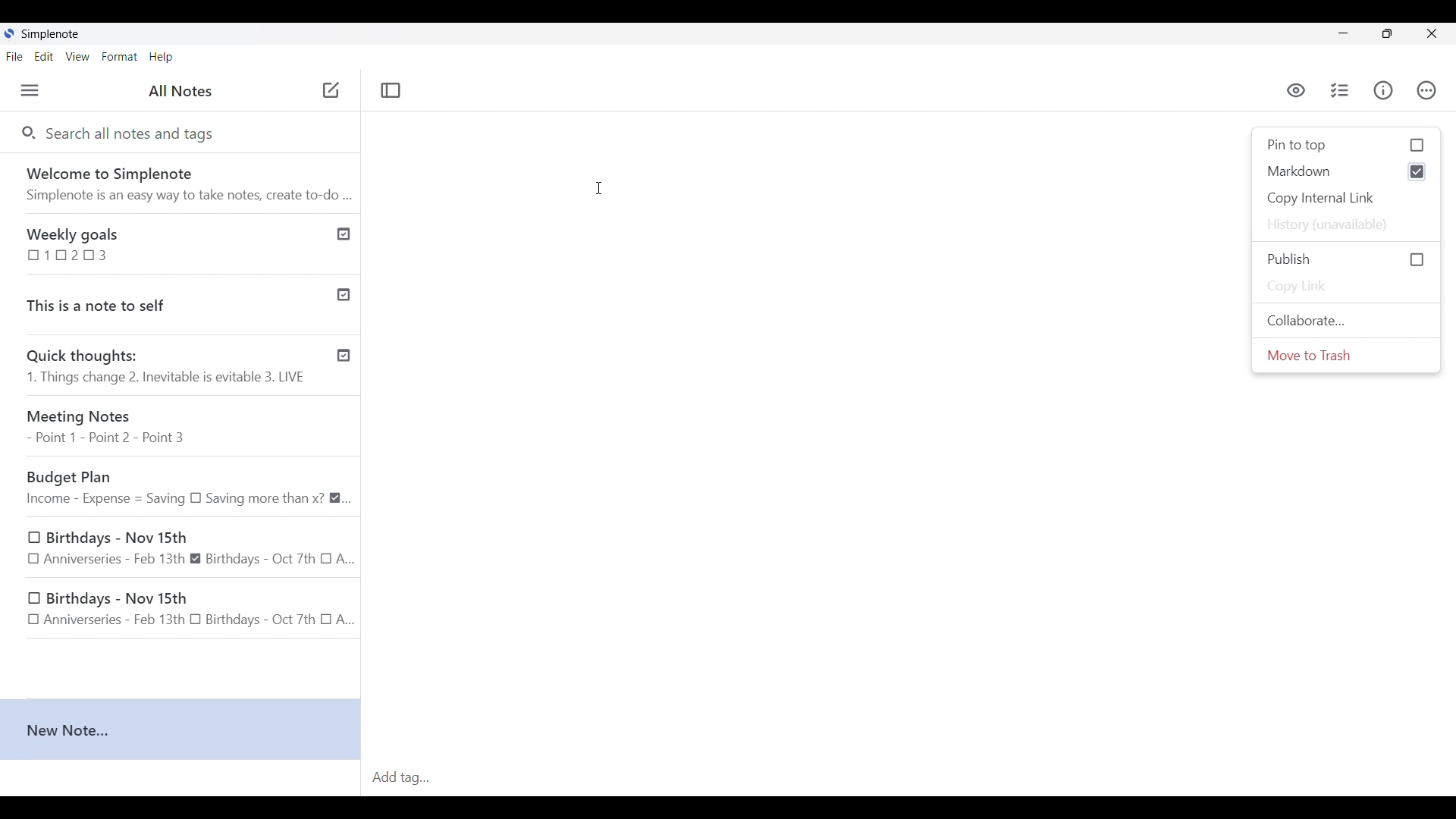 The image size is (1456, 819). I want to click on Info, so click(1383, 90).